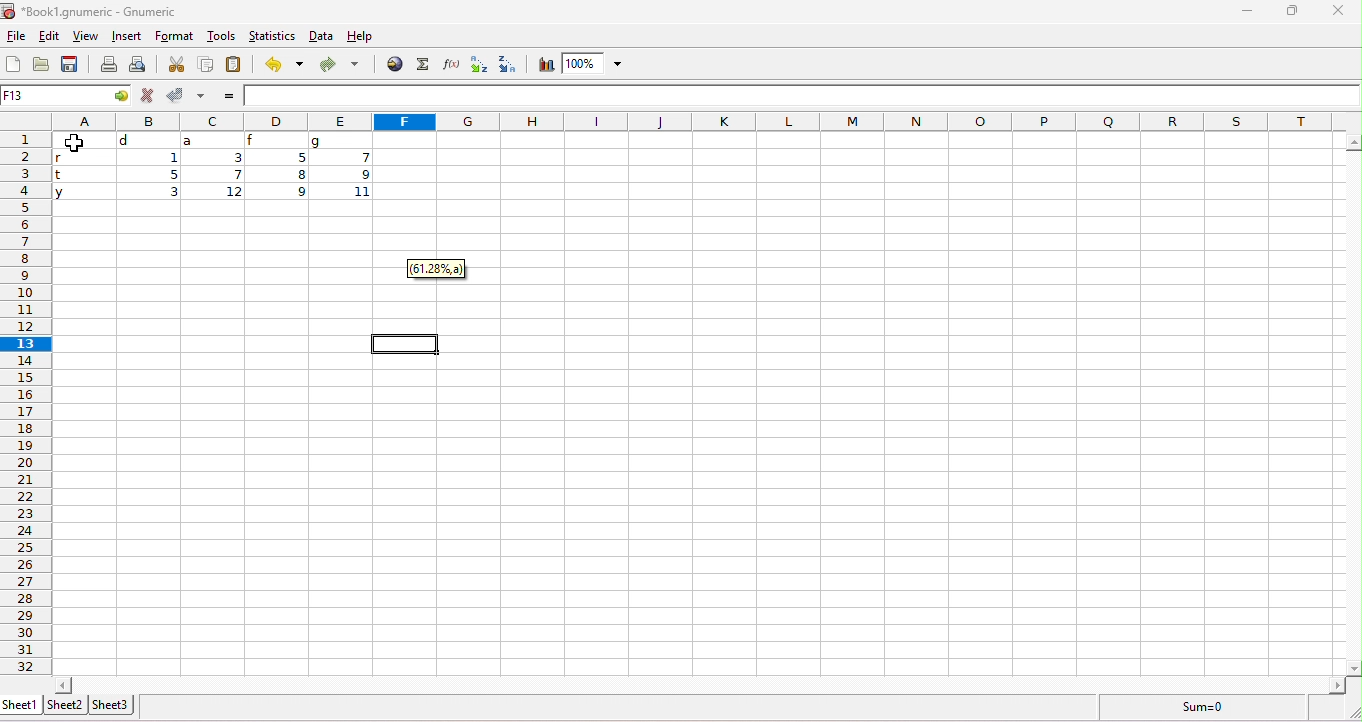  I want to click on copy, so click(203, 64).